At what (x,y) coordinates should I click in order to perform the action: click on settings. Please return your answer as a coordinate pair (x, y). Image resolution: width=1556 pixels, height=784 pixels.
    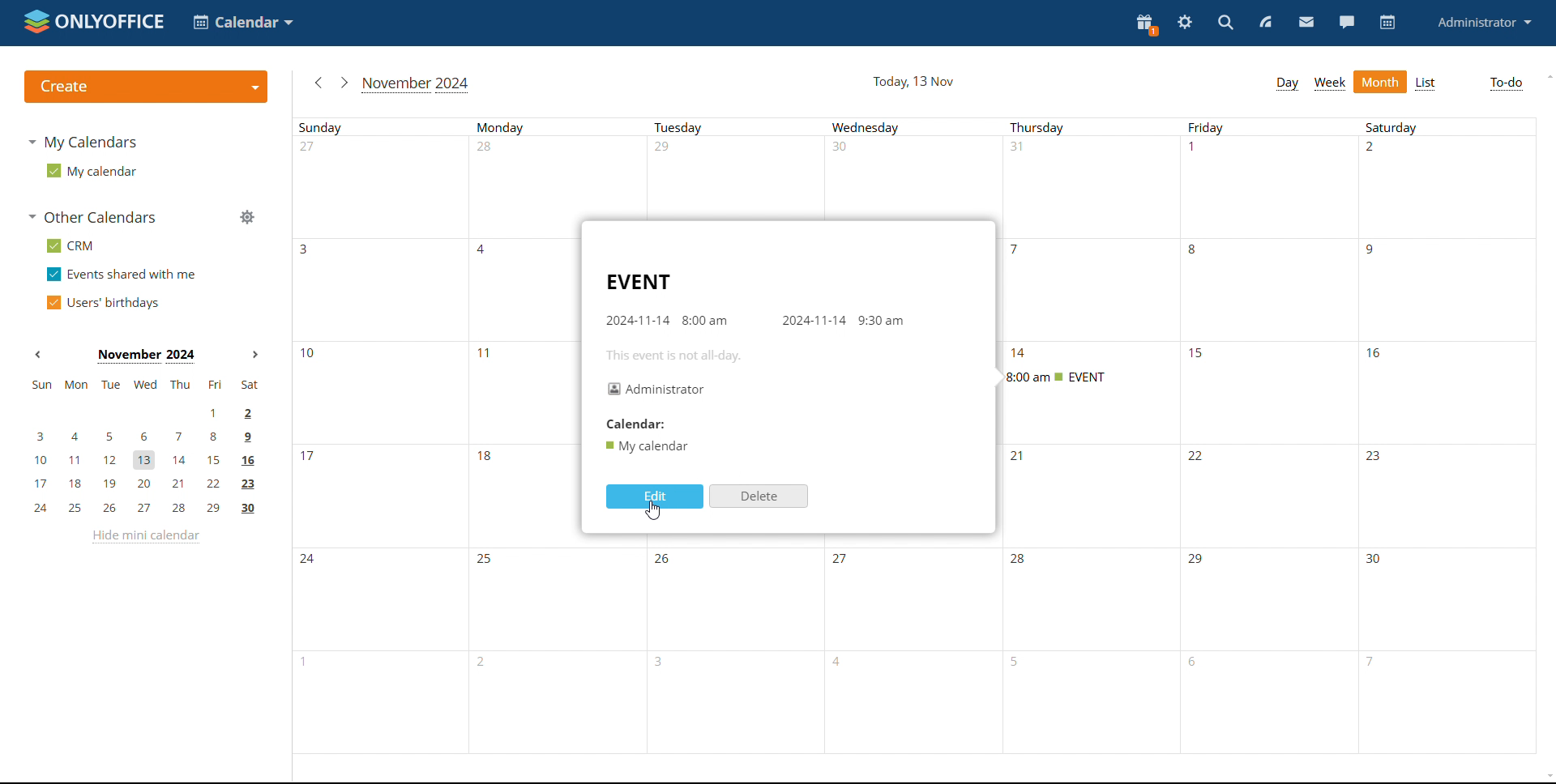
    Looking at the image, I should click on (1185, 24).